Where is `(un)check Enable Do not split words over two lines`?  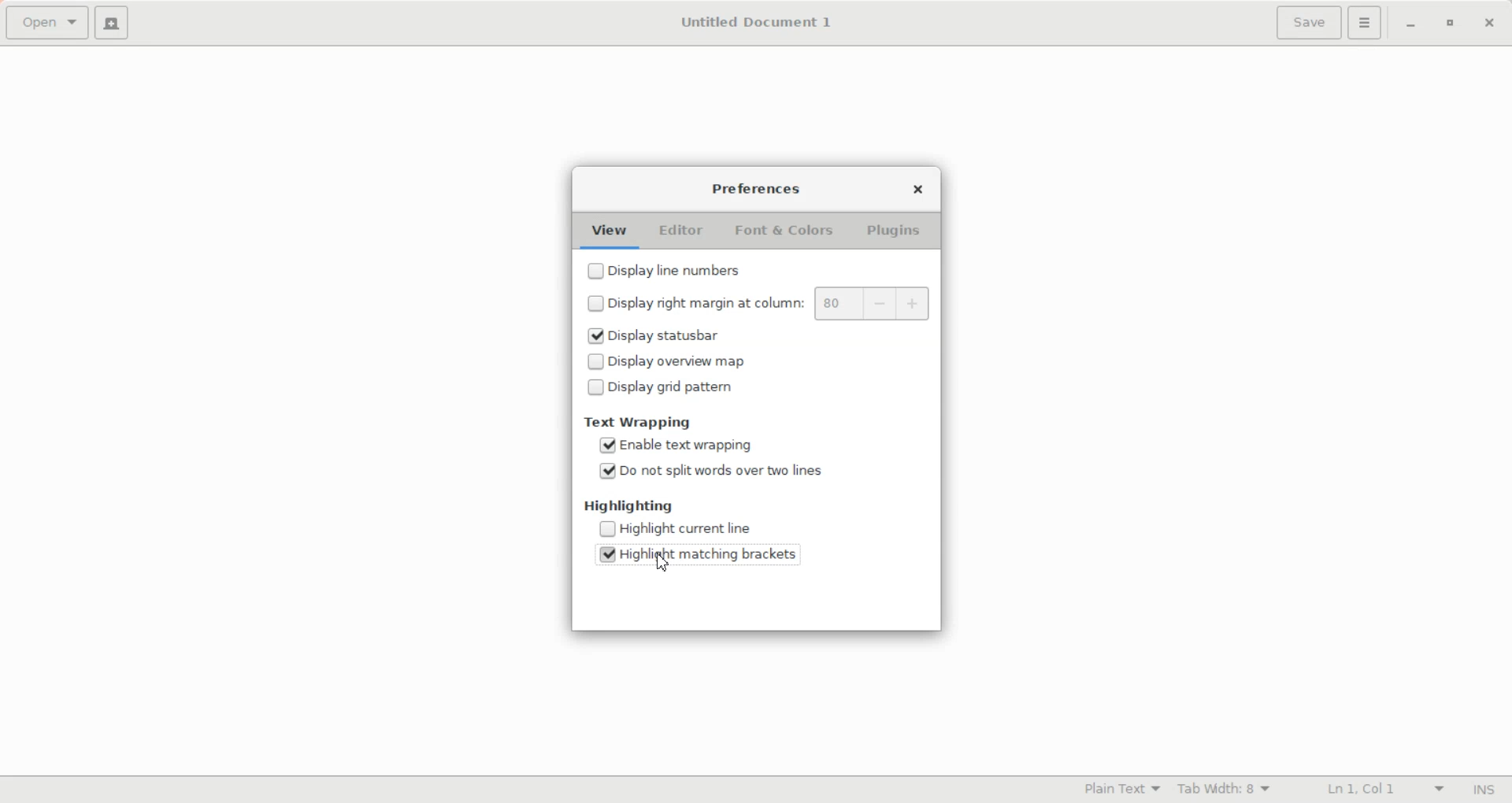 (un)check Enable Do not split words over two lines is located at coordinates (706, 468).